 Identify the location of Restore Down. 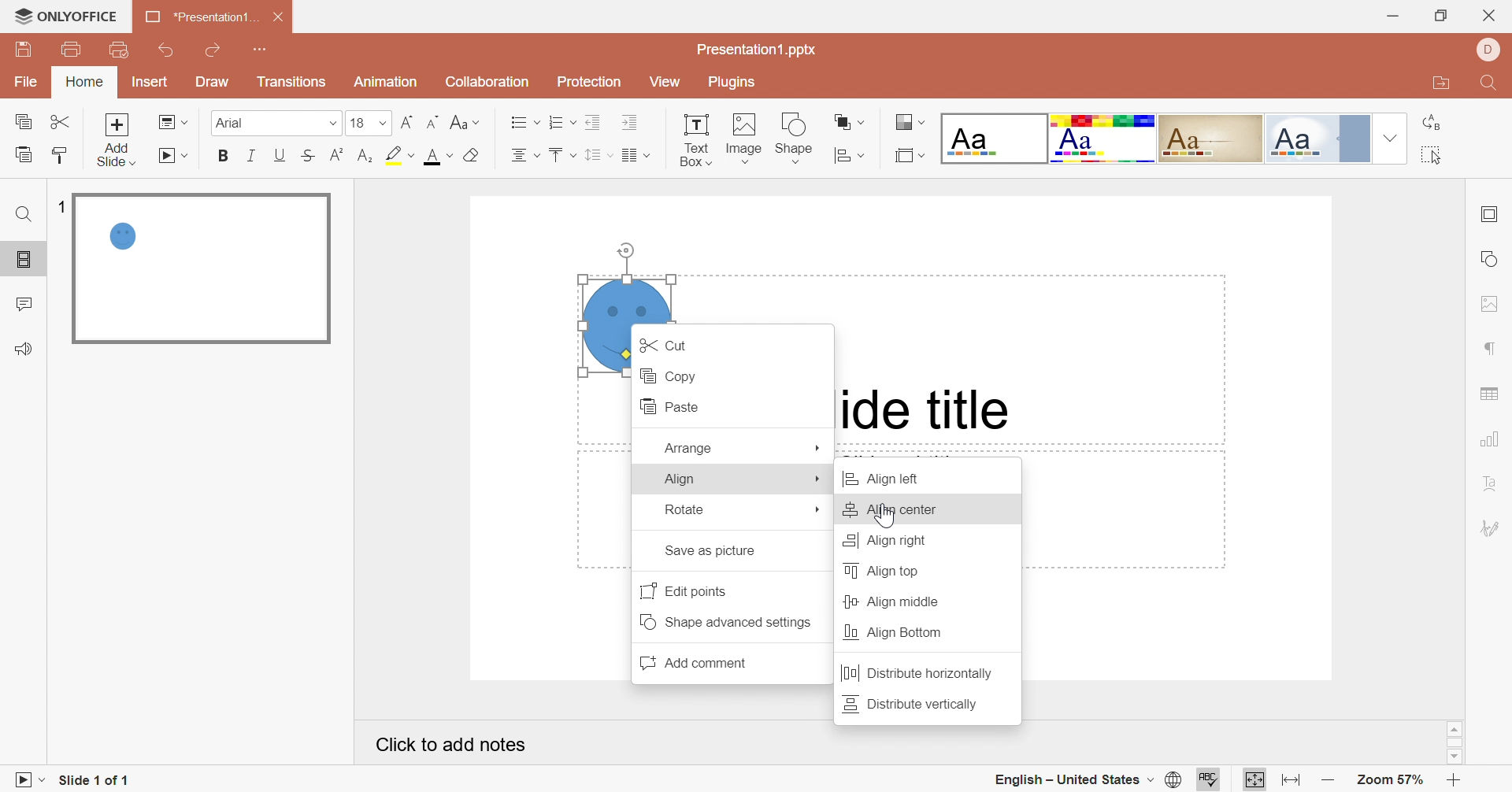
(1440, 18).